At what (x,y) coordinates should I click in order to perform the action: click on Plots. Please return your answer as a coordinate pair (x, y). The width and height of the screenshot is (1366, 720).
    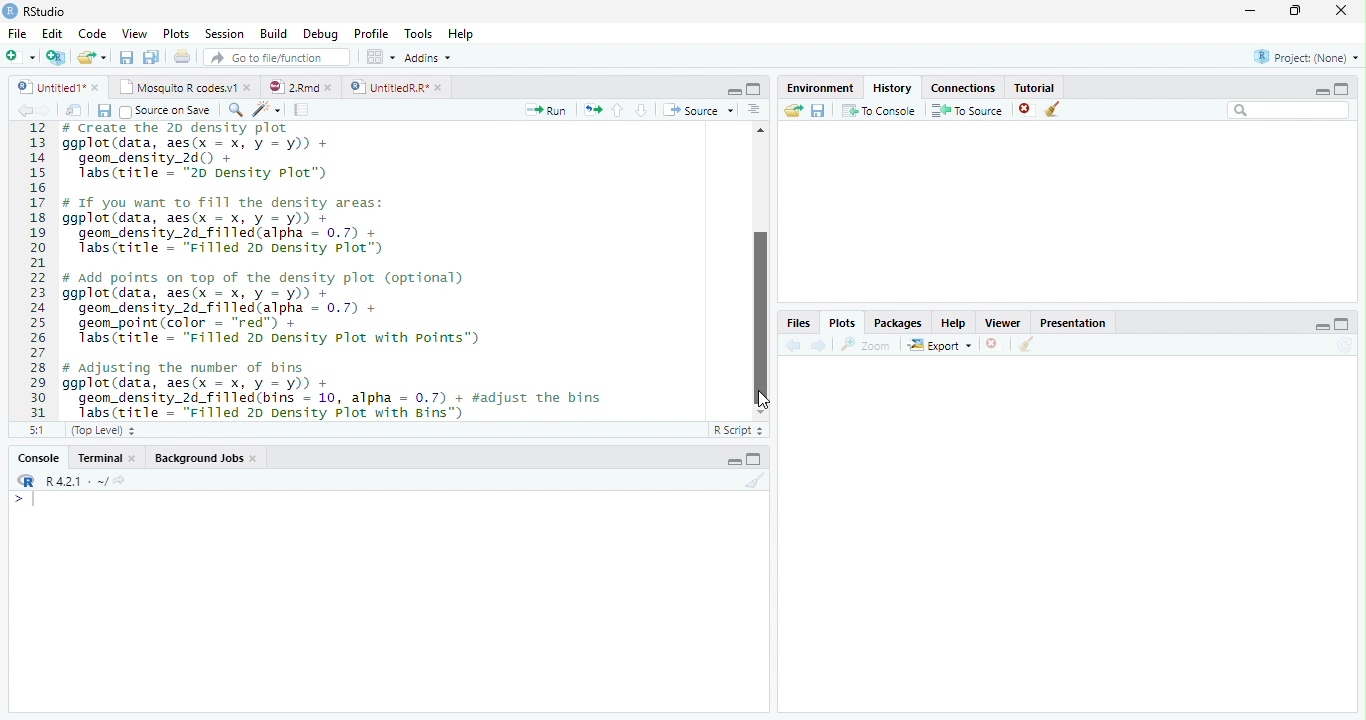
    Looking at the image, I should click on (175, 33).